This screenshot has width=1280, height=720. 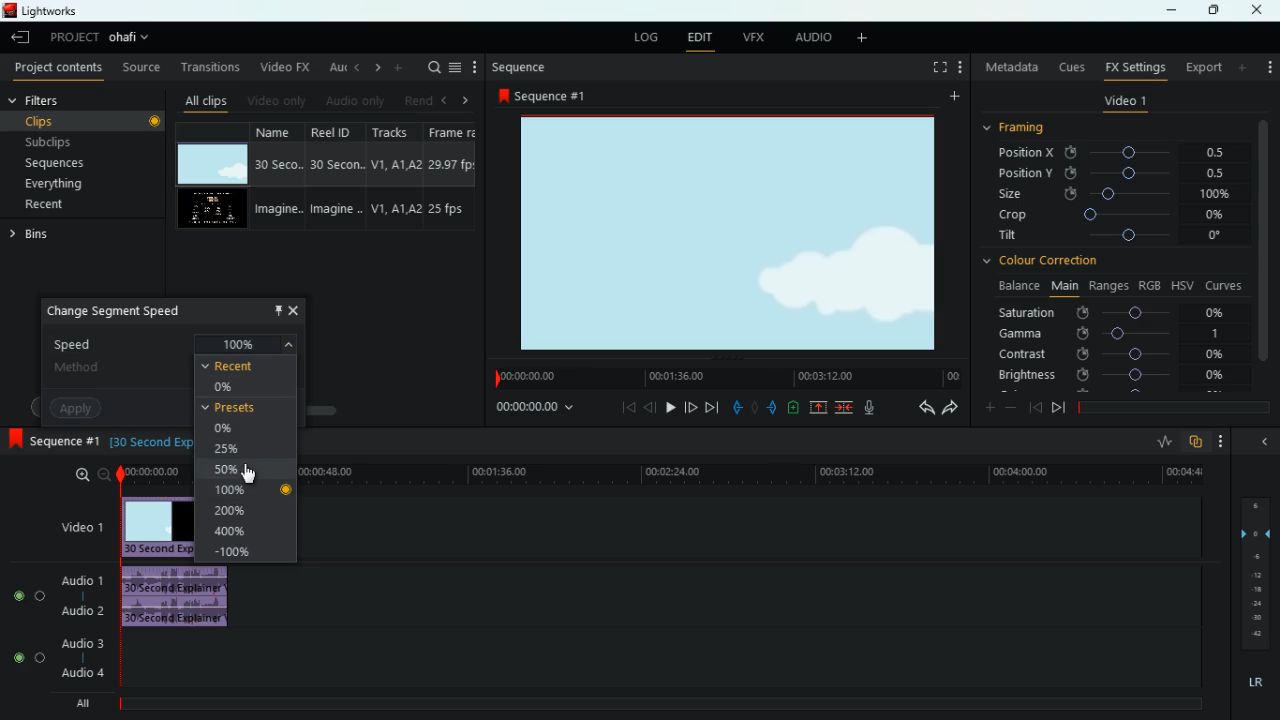 What do you see at coordinates (1114, 195) in the screenshot?
I see `size` at bounding box center [1114, 195].